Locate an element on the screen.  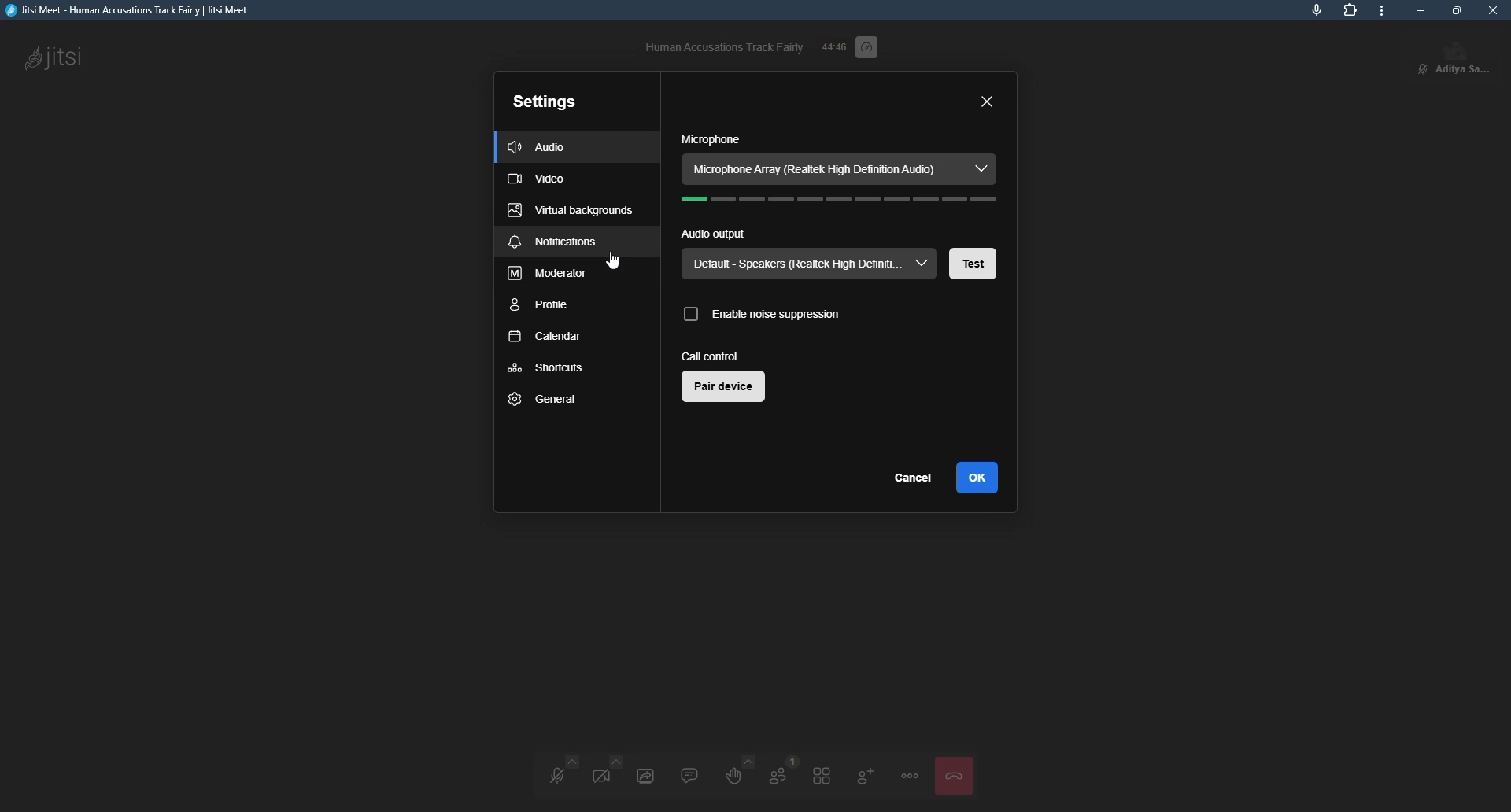
toggle tile view is located at coordinates (818, 775).